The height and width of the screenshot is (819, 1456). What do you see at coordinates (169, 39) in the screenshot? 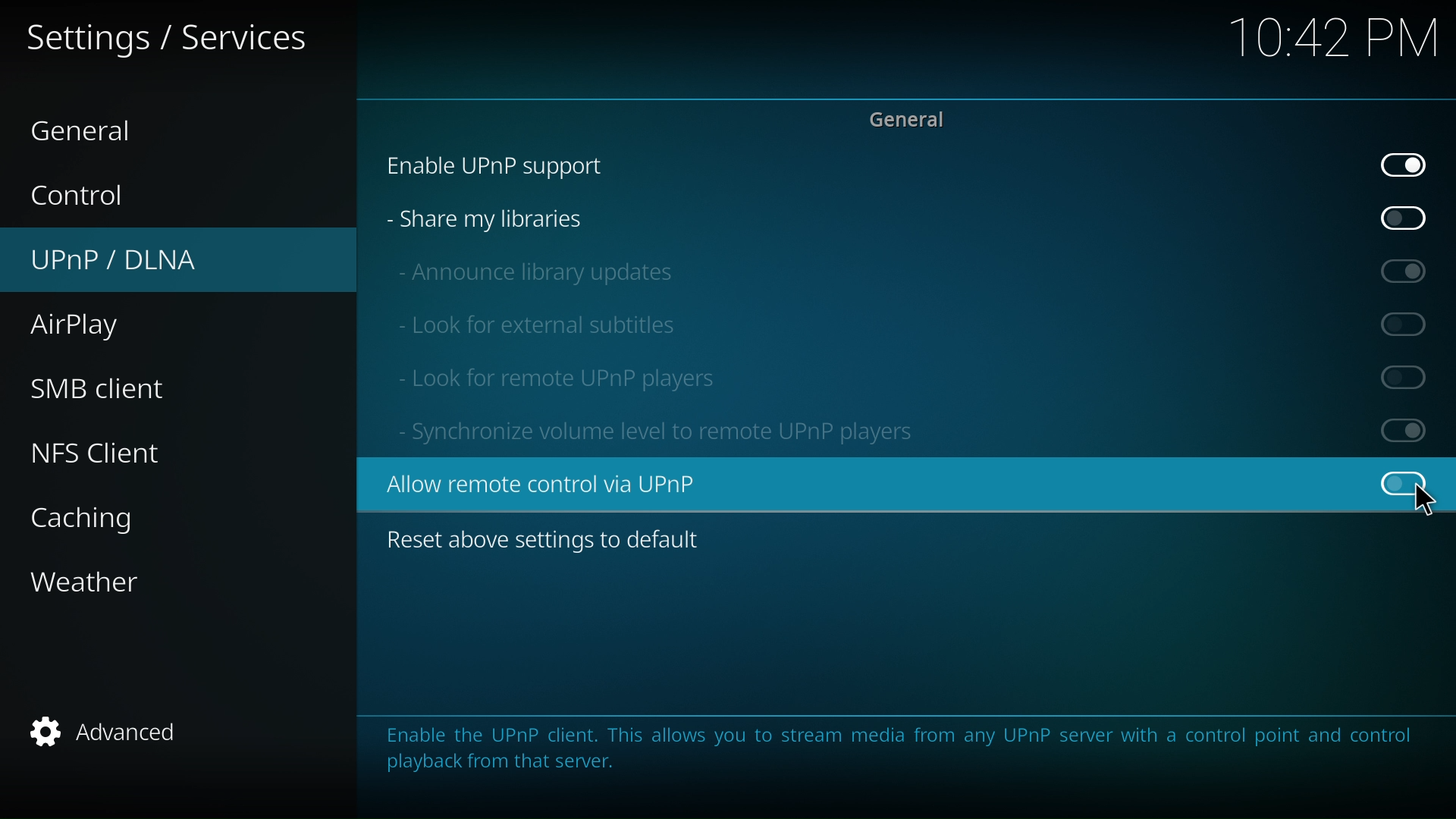
I see `setting and service` at bounding box center [169, 39].